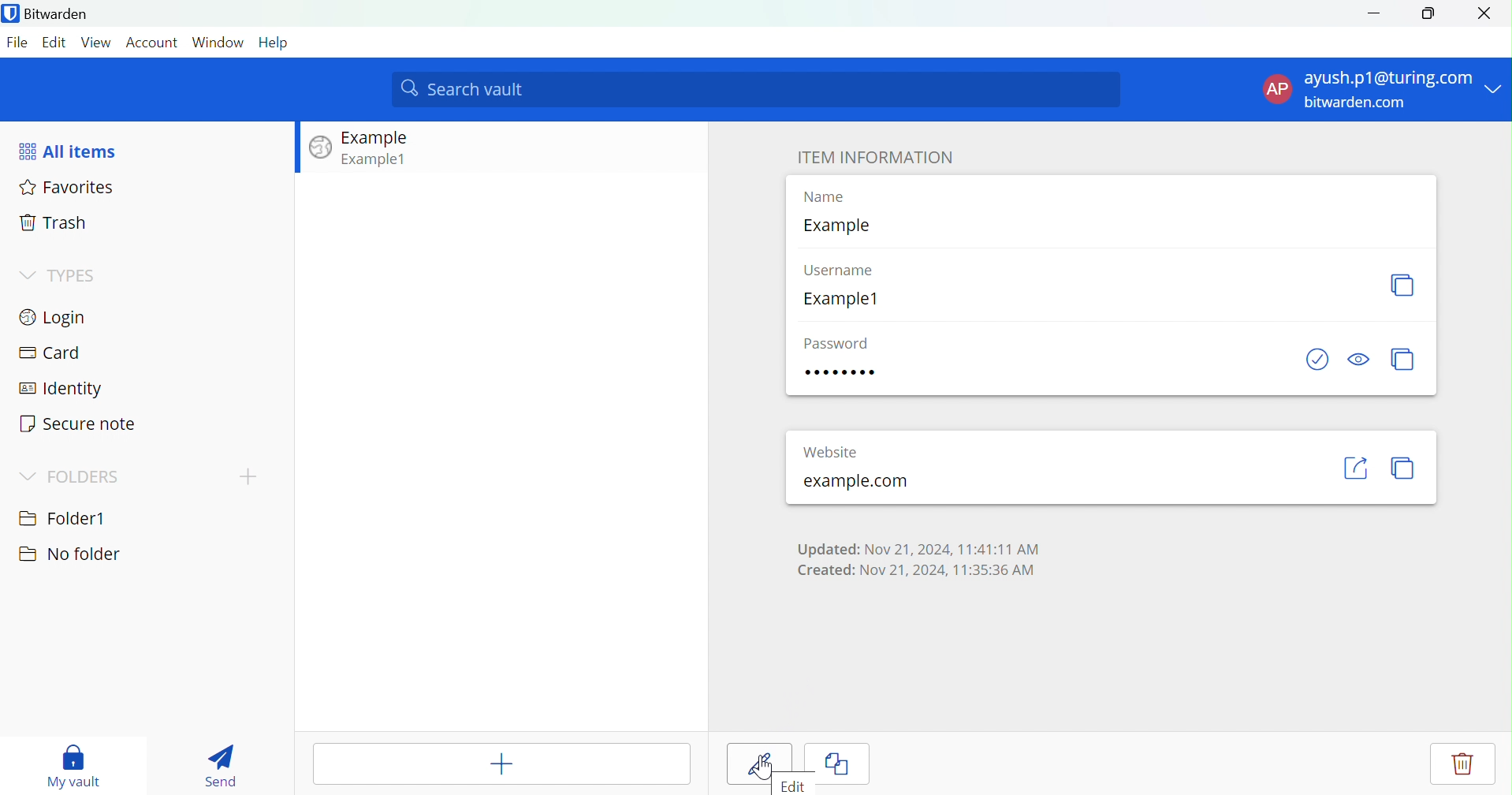 This screenshot has height=795, width=1512. What do you see at coordinates (1496, 84) in the screenshot?
I see `Drop Down` at bounding box center [1496, 84].